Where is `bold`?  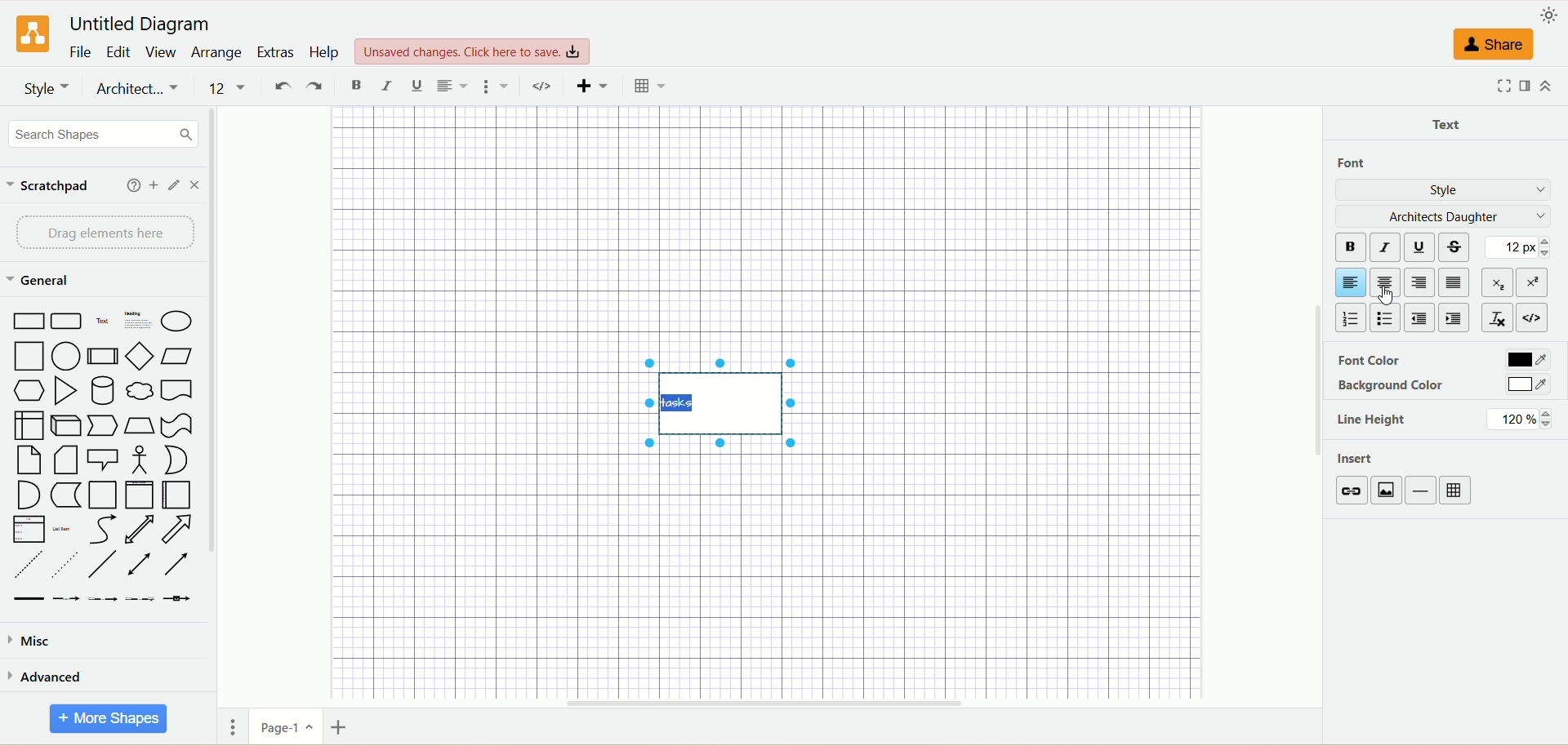
bold is located at coordinates (1349, 246).